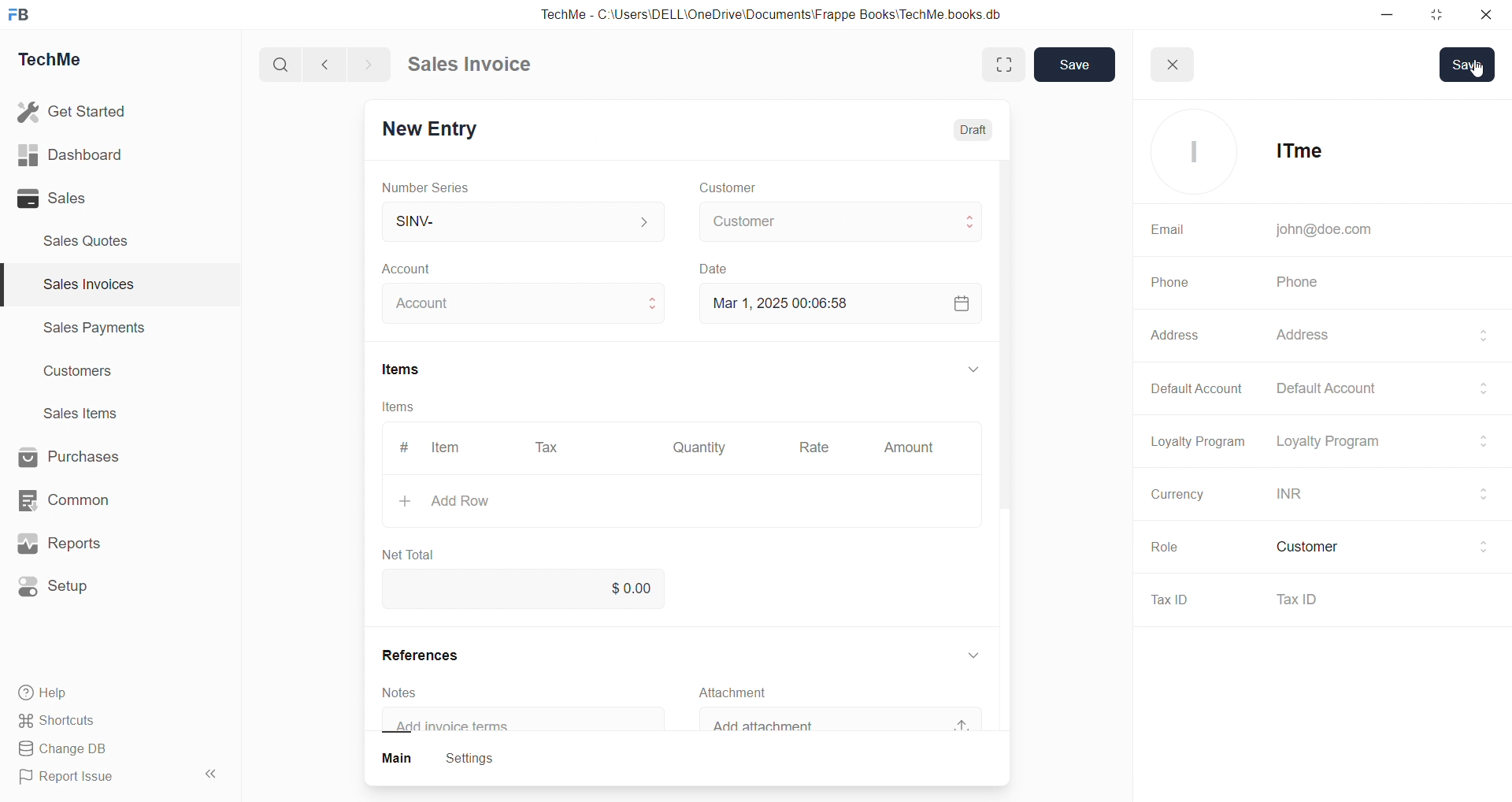  I want to click on Minimize, so click(1392, 16).